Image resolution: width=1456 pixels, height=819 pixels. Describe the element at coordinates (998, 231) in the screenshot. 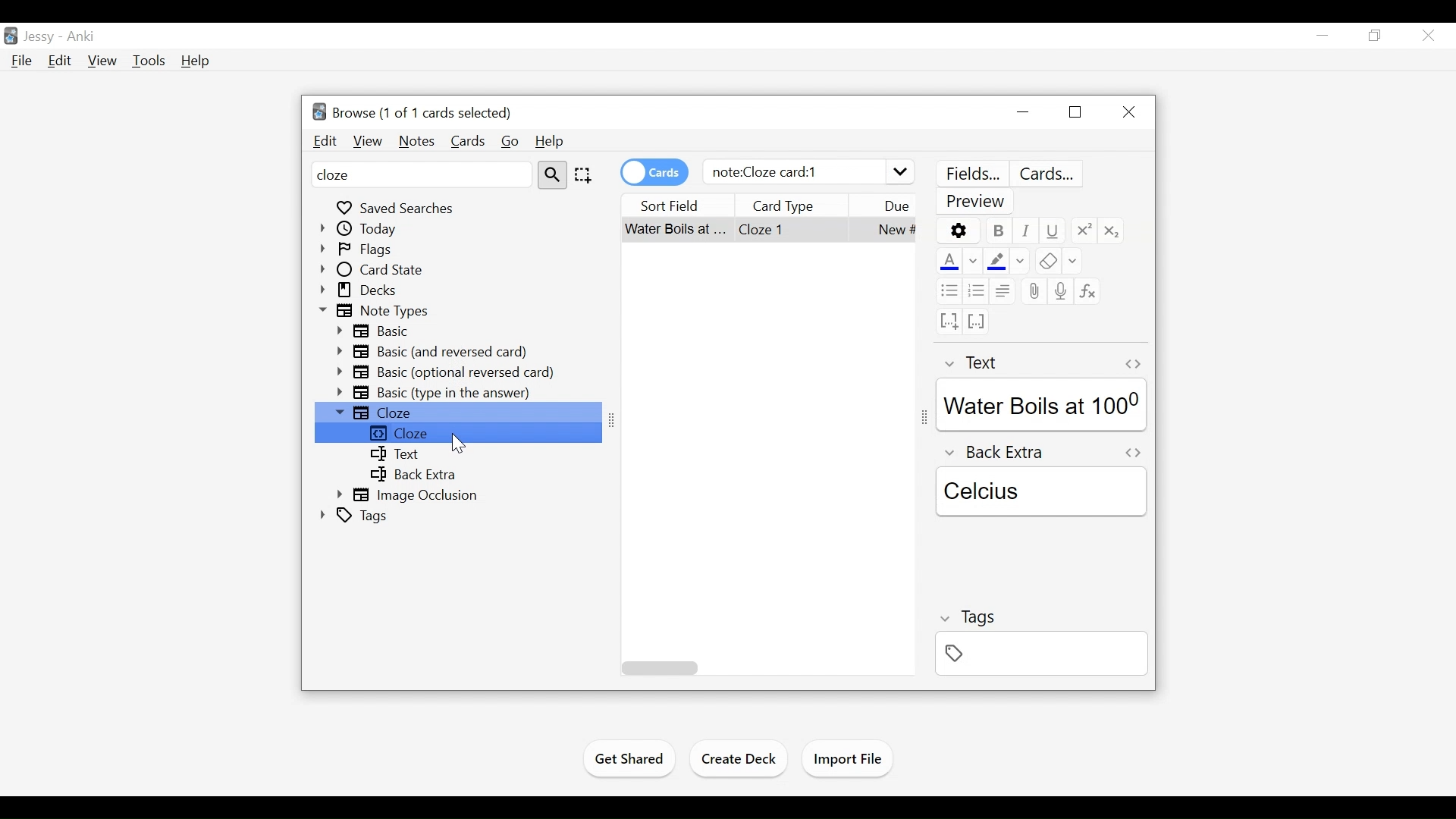

I see `Bold` at that location.